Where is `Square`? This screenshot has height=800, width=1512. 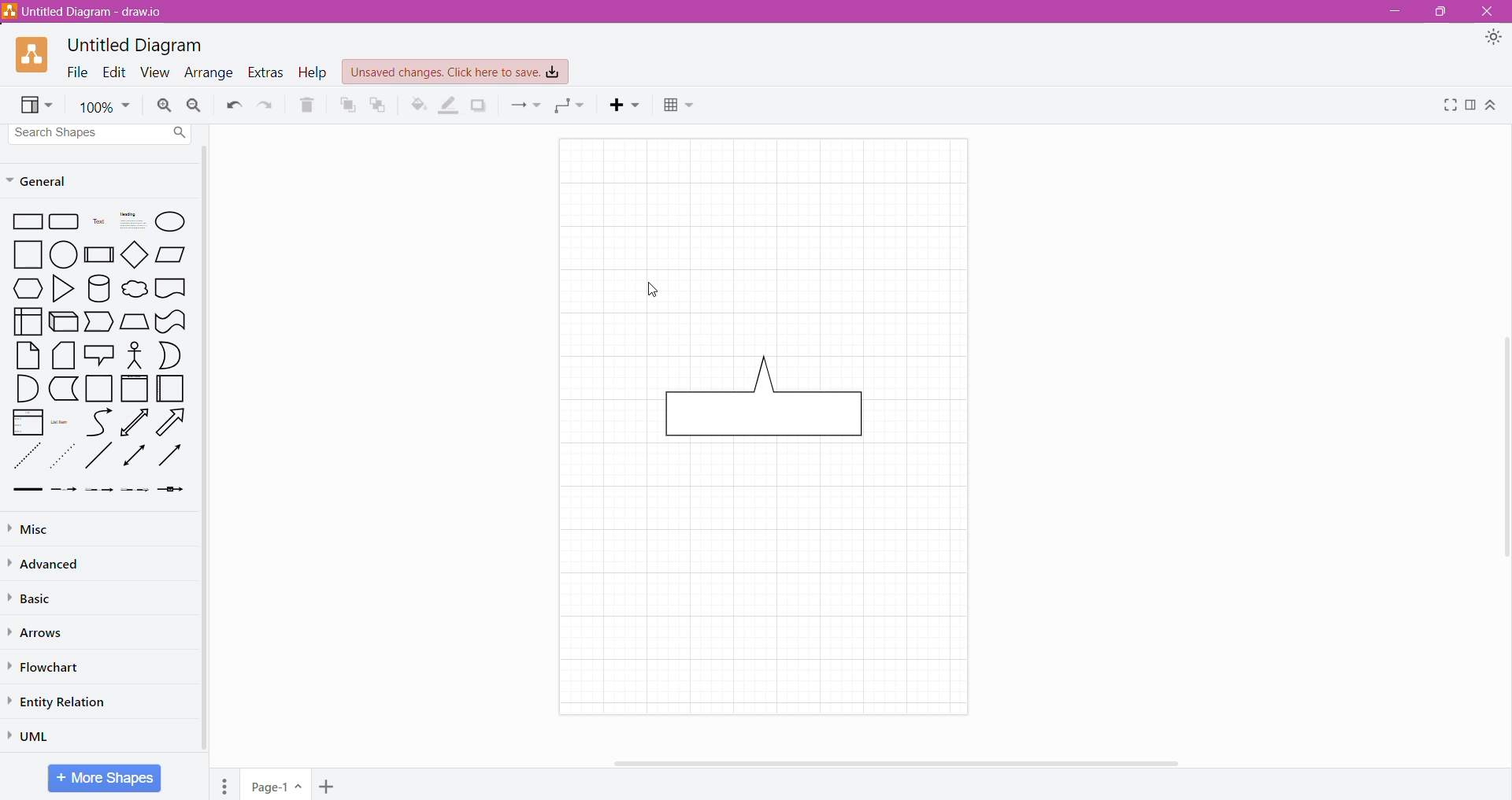 Square is located at coordinates (22, 255).